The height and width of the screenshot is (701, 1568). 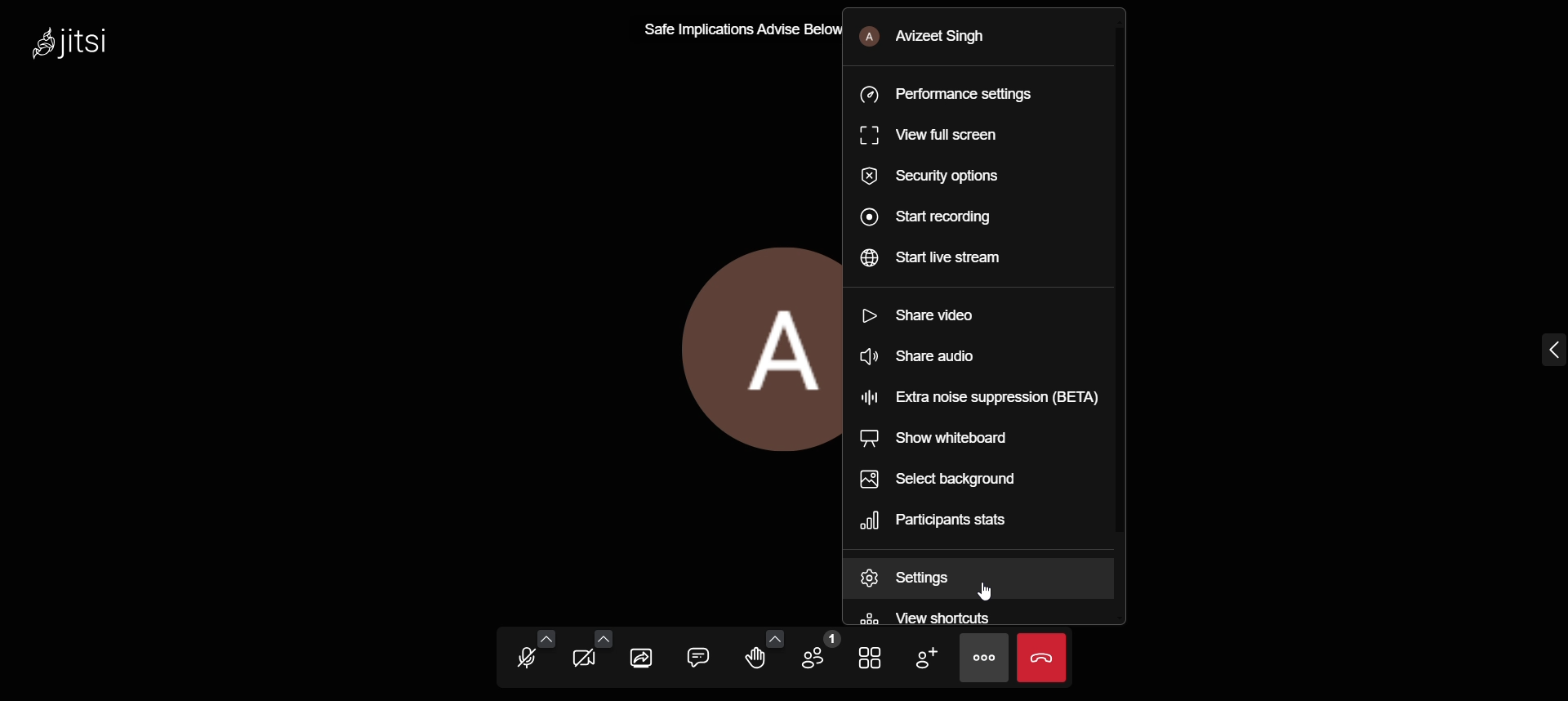 I want to click on toggle view, so click(x=871, y=658).